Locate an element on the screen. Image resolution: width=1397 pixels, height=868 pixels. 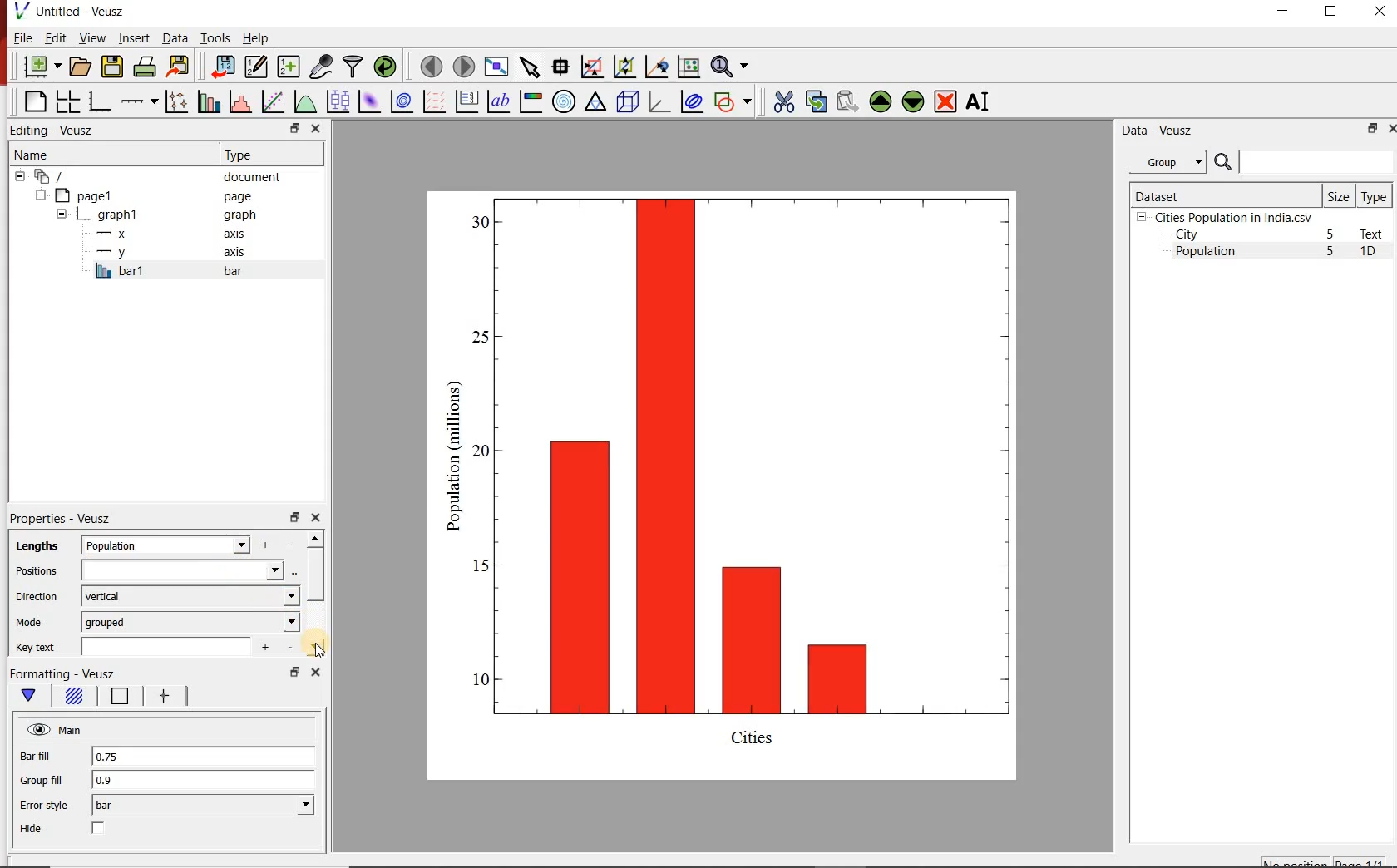
City is located at coordinates (1187, 234).